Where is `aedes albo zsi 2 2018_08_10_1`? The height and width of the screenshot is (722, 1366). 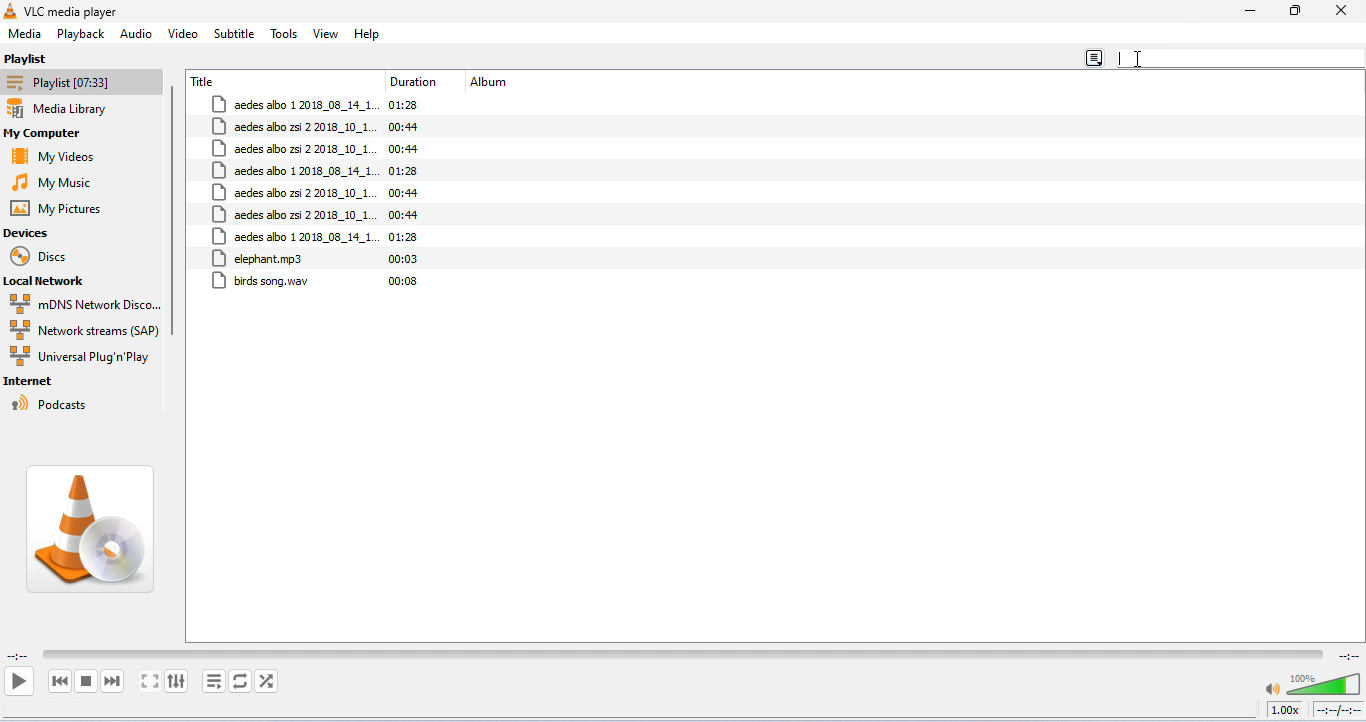
aedes albo zsi 2 2018_08_10_1 is located at coordinates (293, 149).